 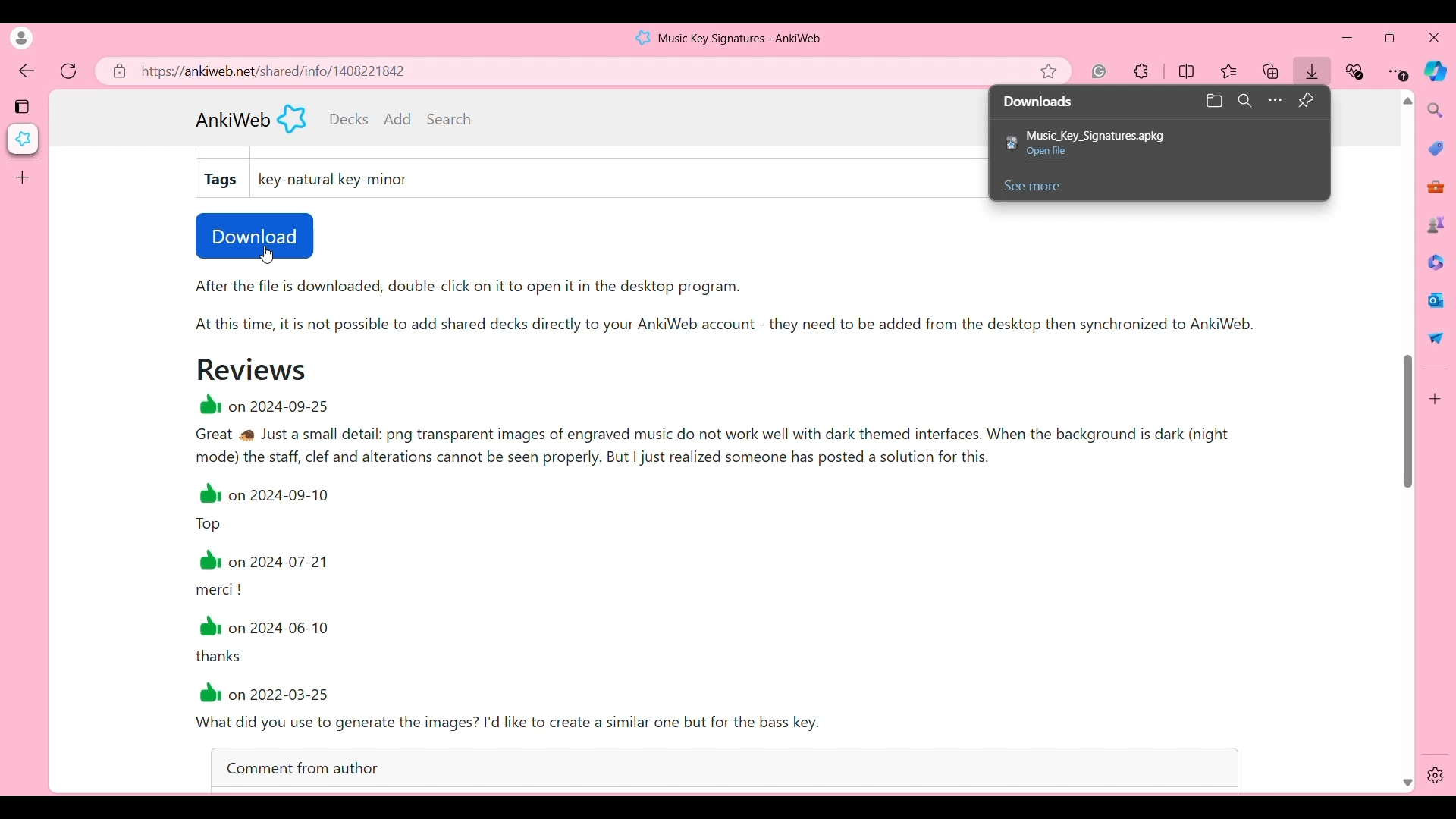 I want to click on Tags, so click(x=222, y=180).